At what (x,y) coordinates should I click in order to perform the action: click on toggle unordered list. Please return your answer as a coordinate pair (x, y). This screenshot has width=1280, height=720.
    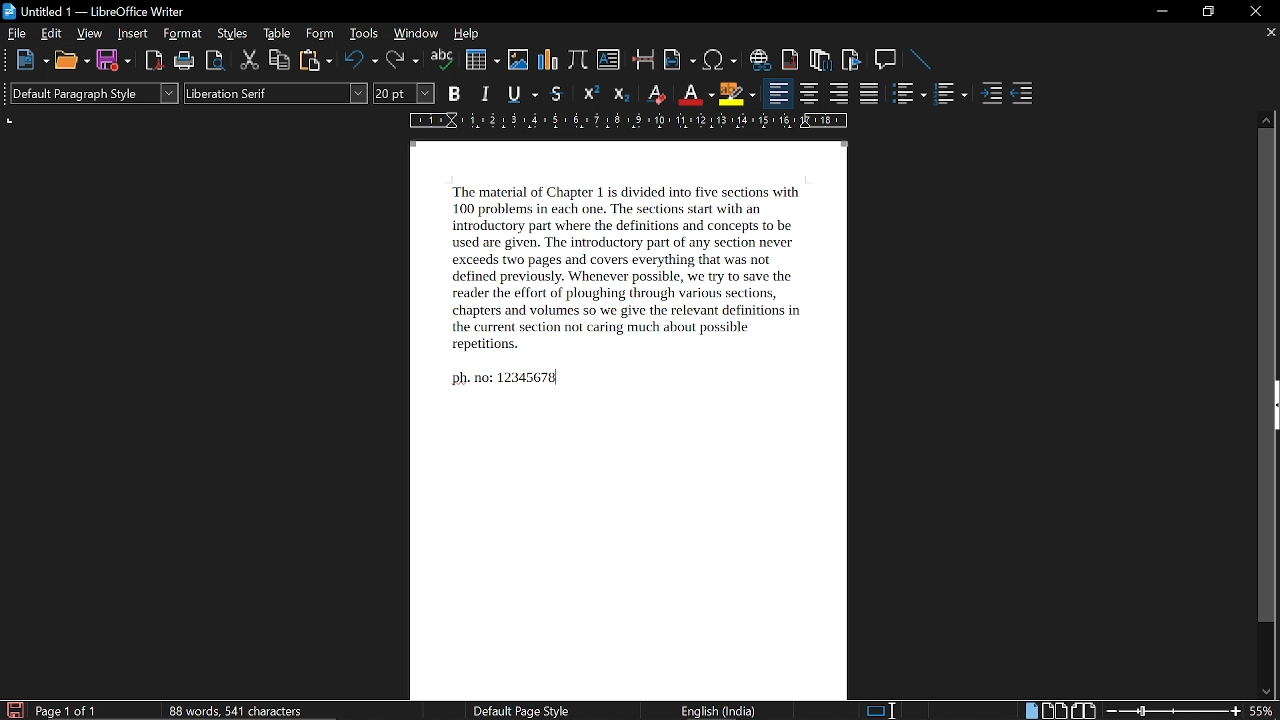
    Looking at the image, I should click on (909, 96).